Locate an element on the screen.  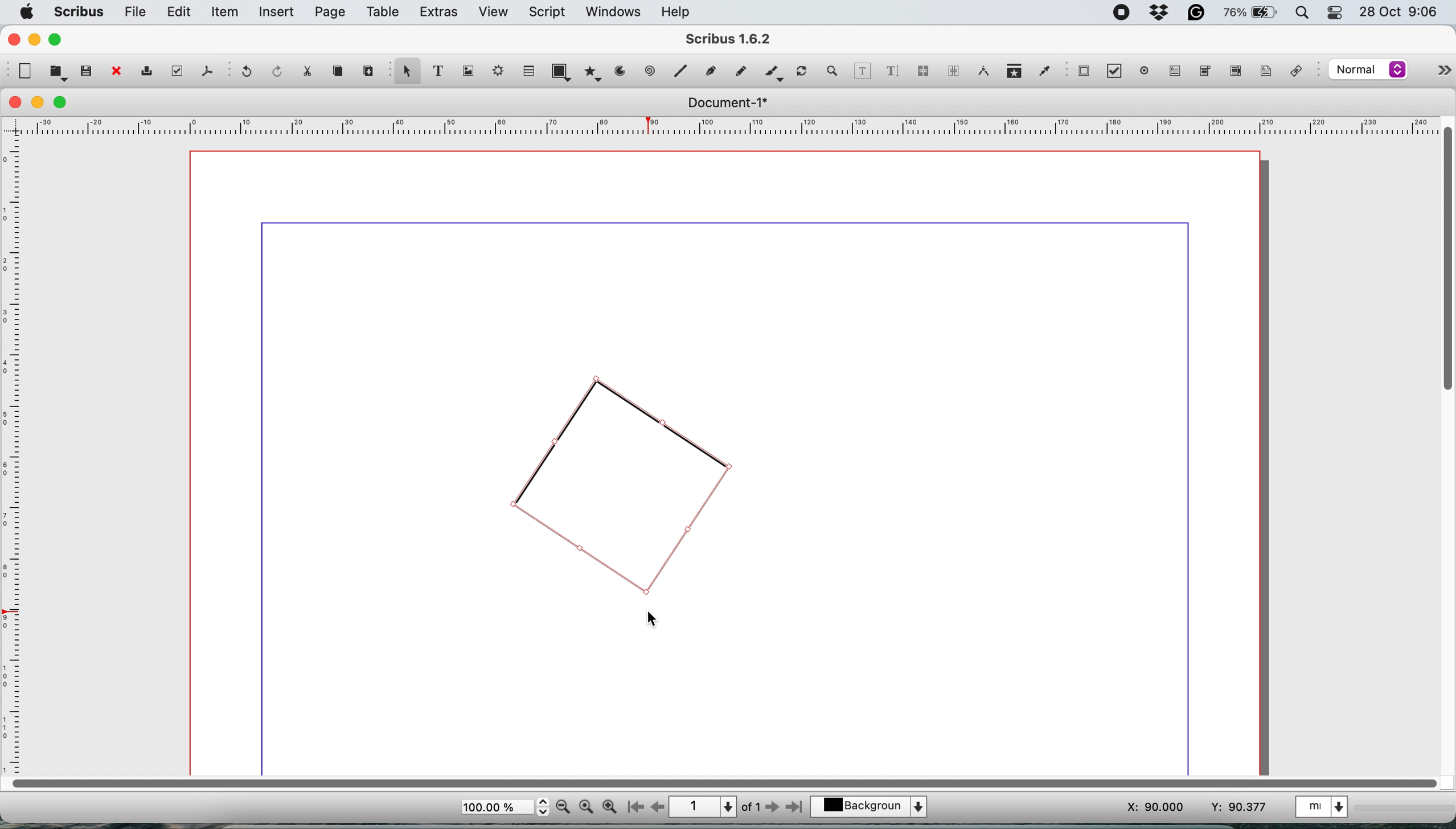
xy coordinates is located at coordinates (1187, 808).